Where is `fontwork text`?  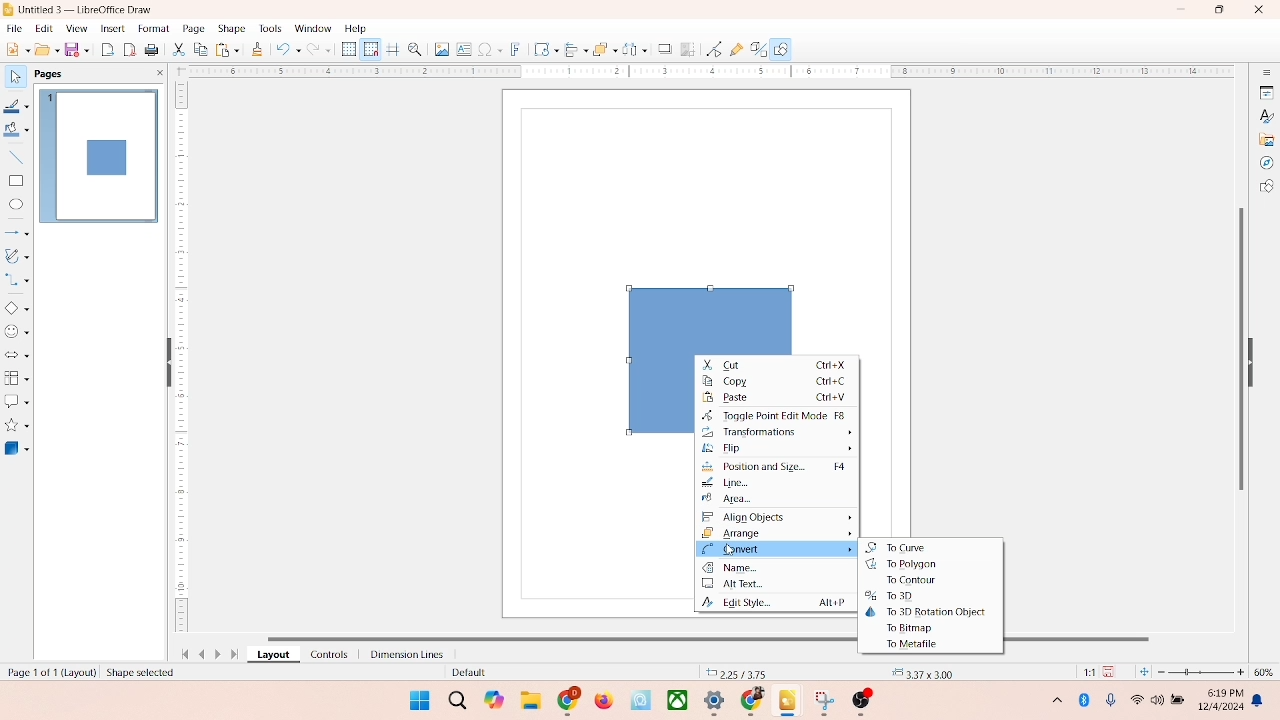 fontwork text is located at coordinates (516, 47).